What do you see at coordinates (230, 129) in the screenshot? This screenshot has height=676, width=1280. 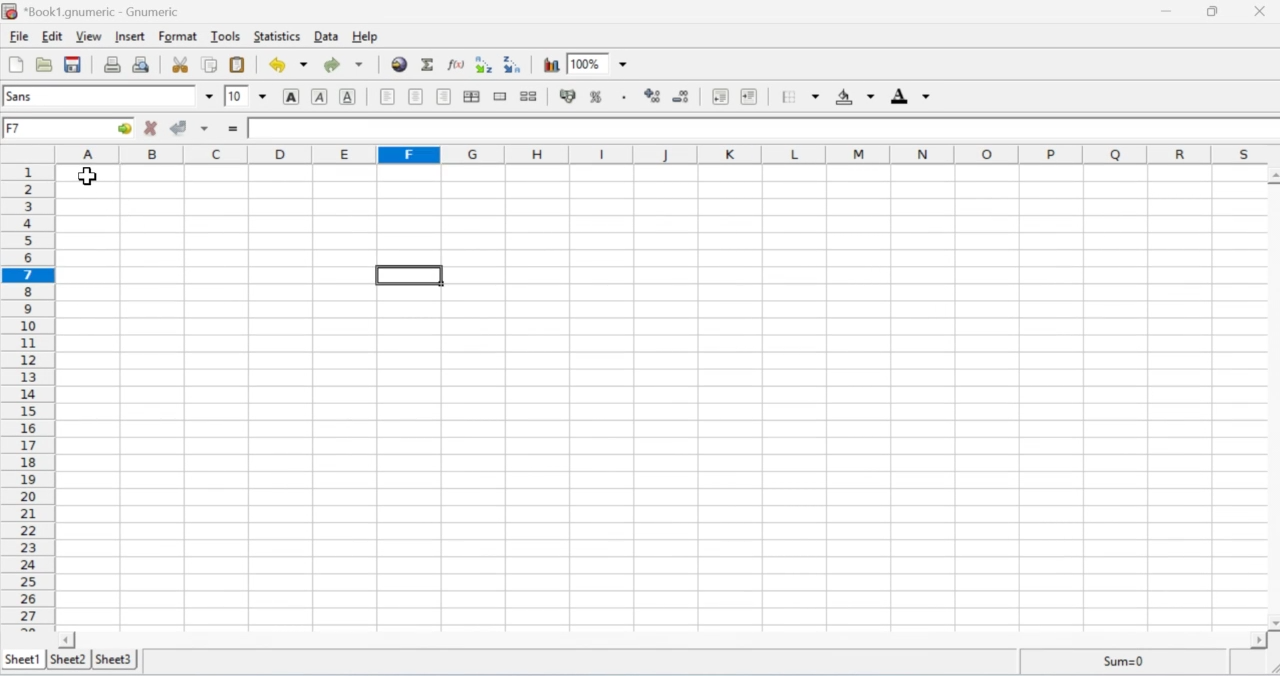 I see `Insert function` at bounding box center [230, 129].